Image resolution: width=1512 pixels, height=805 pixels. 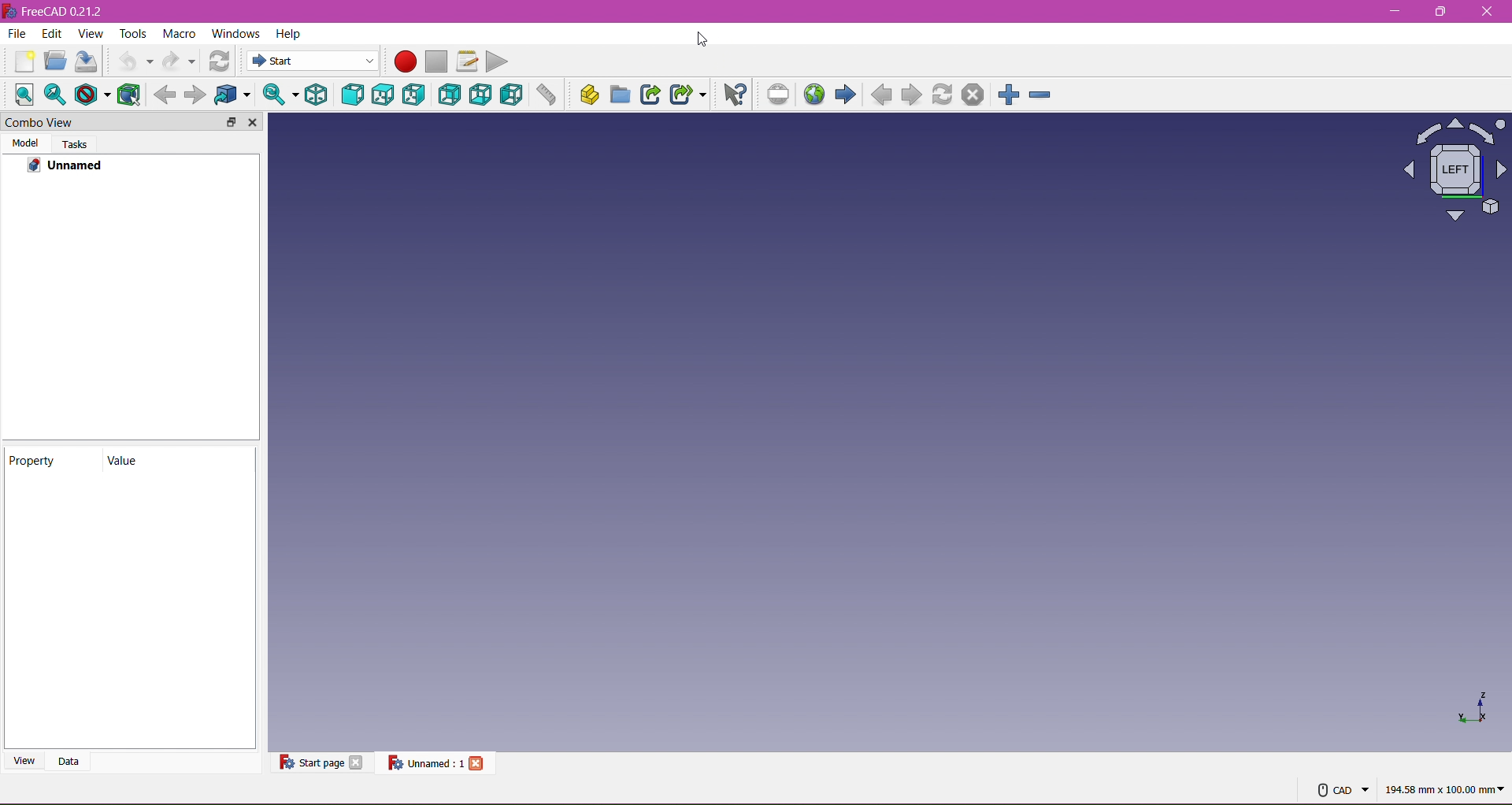 I want to click on Play Macro, so click(x=497, y=61).